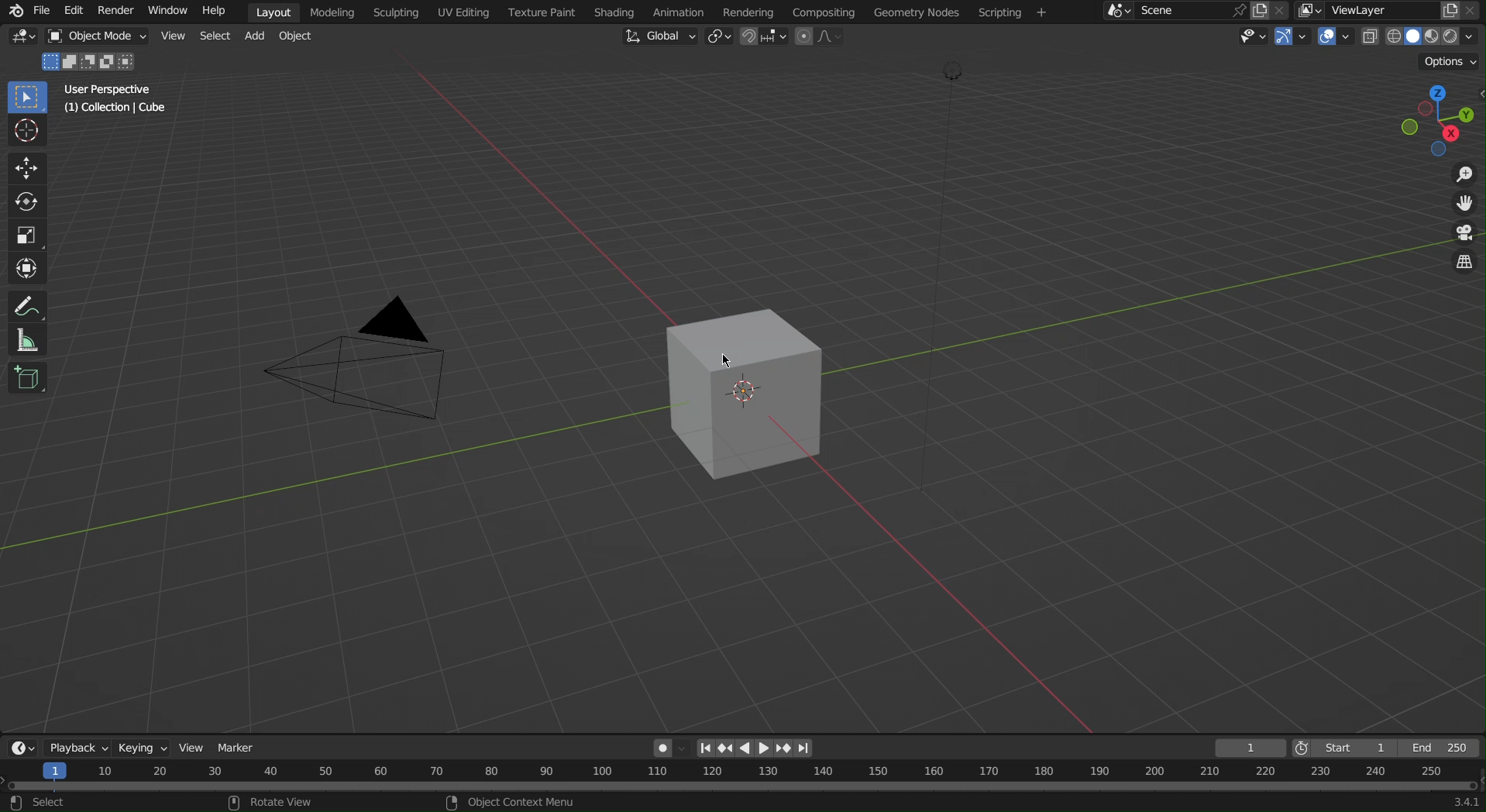 The height and width of the screenshot is (812, 1486). Describe the element at coordinates (110, 89) in the screenshot. I see `User Perspective` at that location.